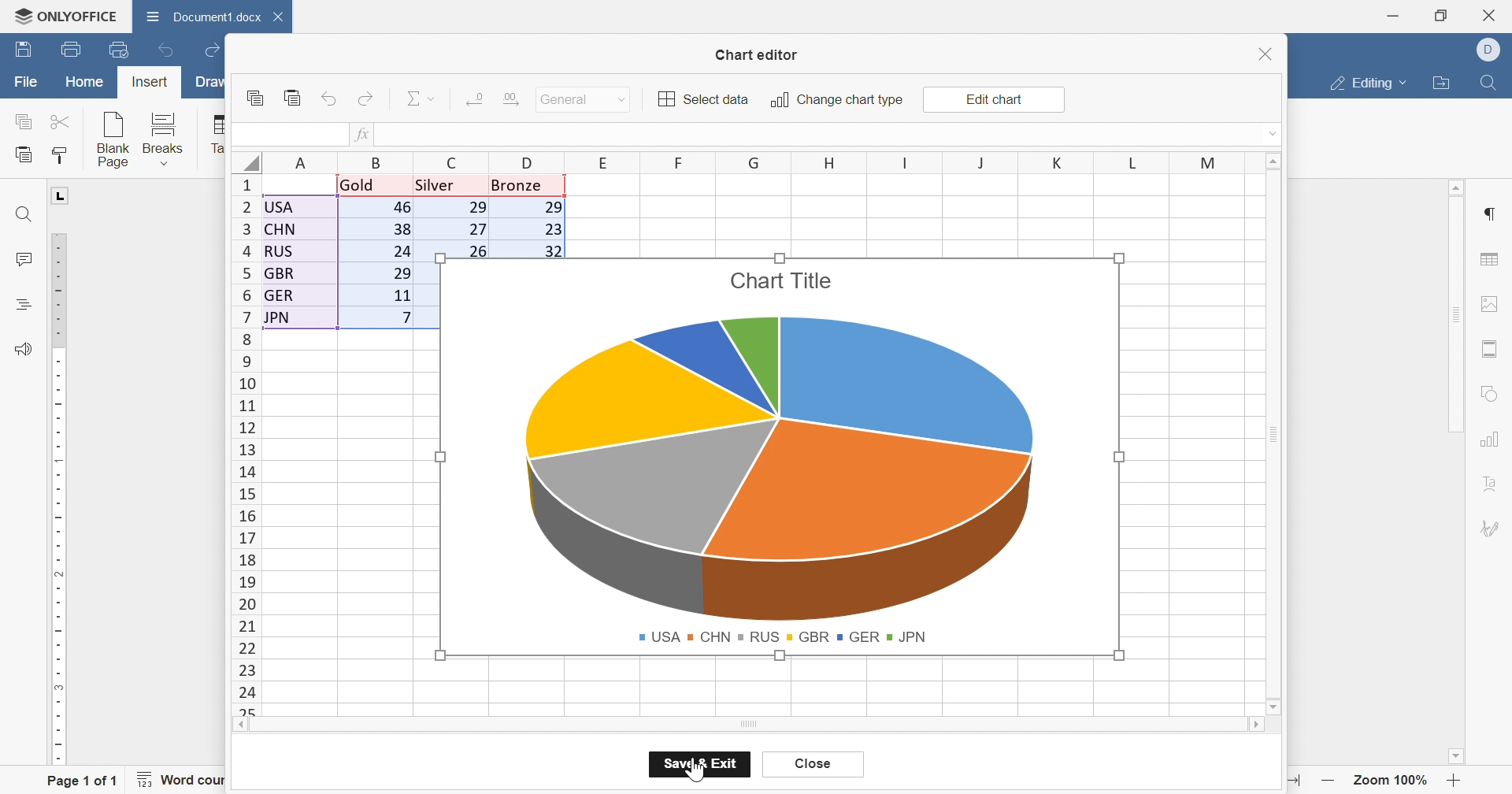 The image size is (1512, 794). I want to click on Minimize, so click(1393, 17).